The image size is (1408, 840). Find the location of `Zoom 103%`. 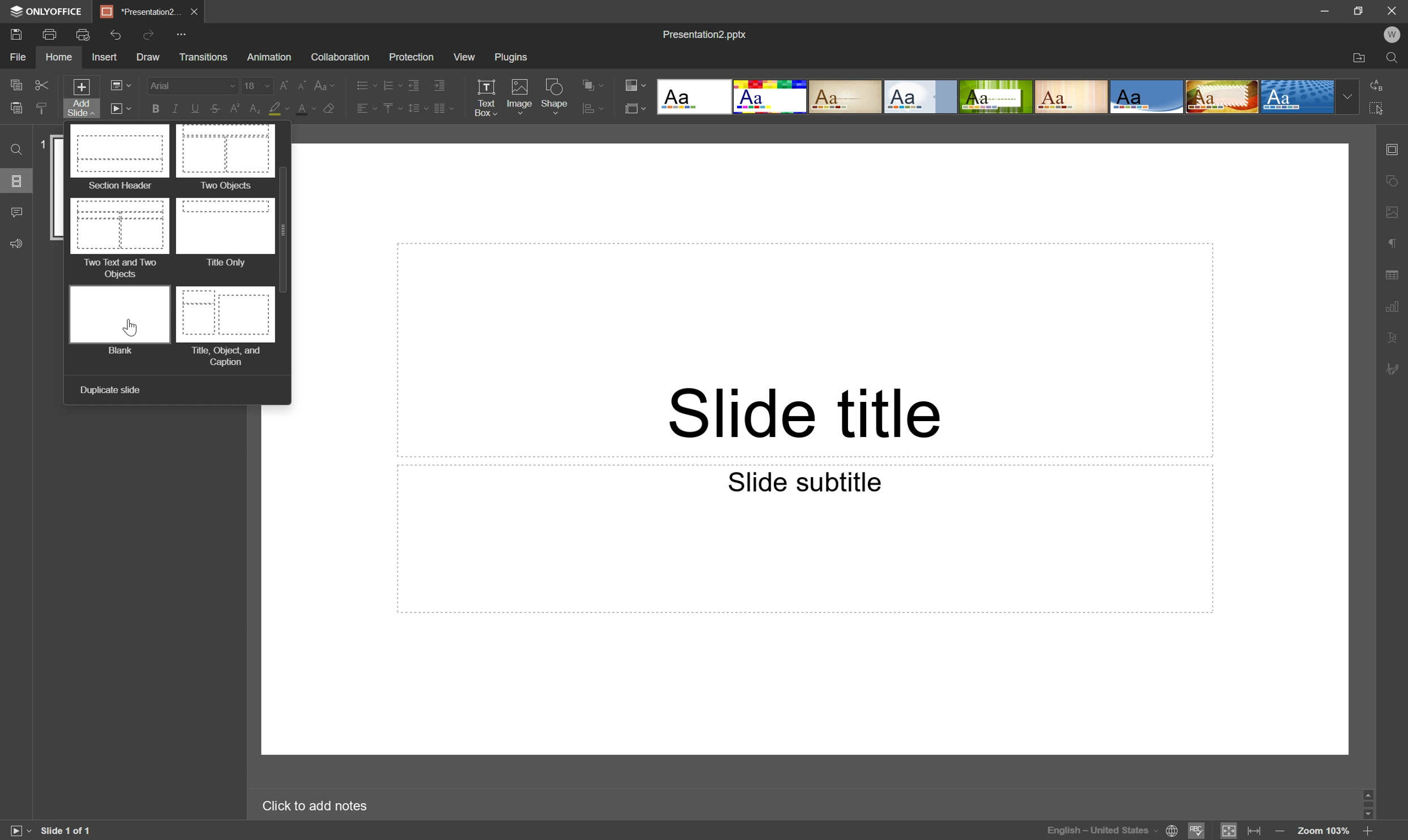

Zoom 103% is located at coordinates (1324, 832).